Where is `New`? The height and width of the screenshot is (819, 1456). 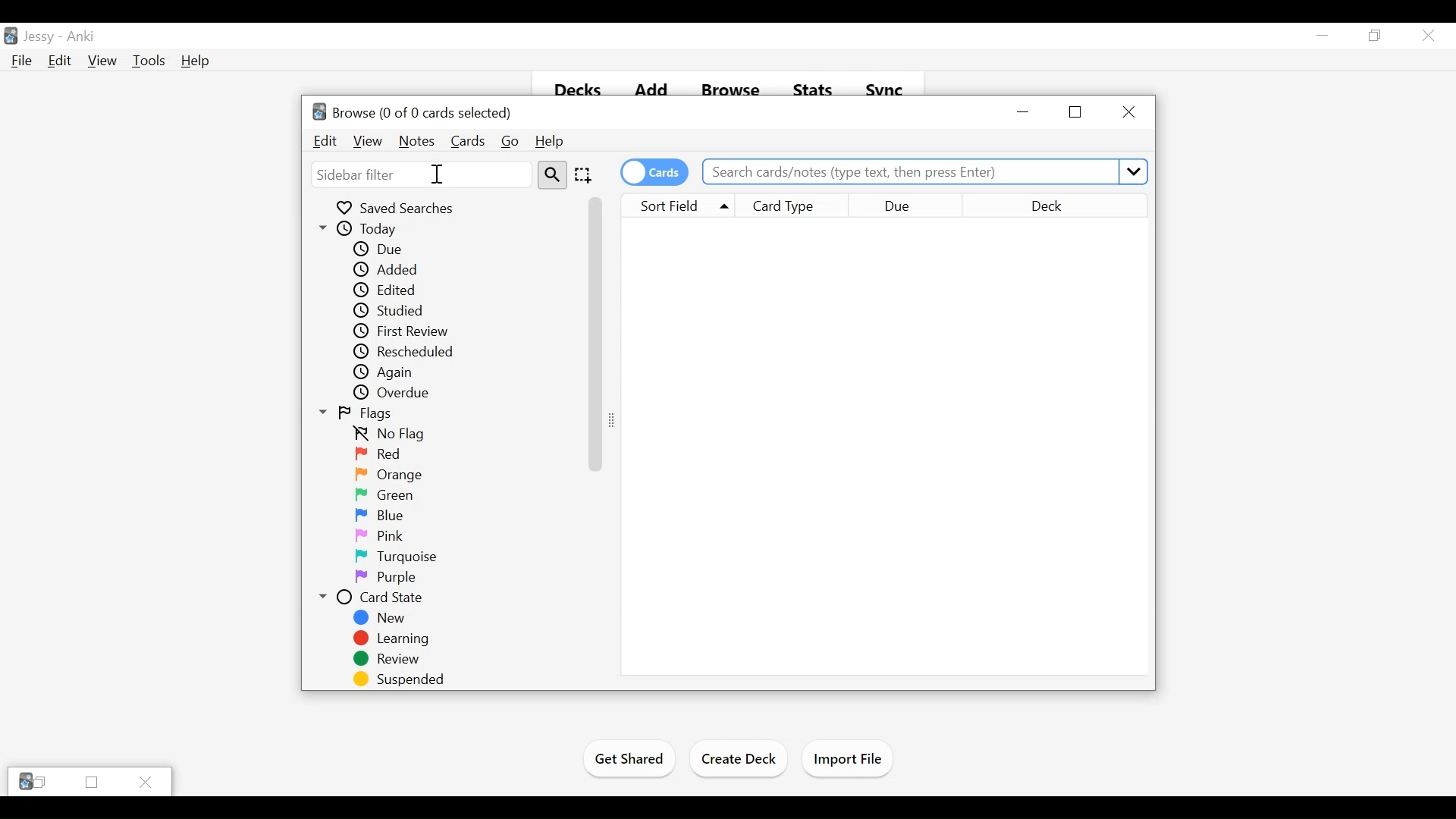
New is located at coordinates (385, 617).